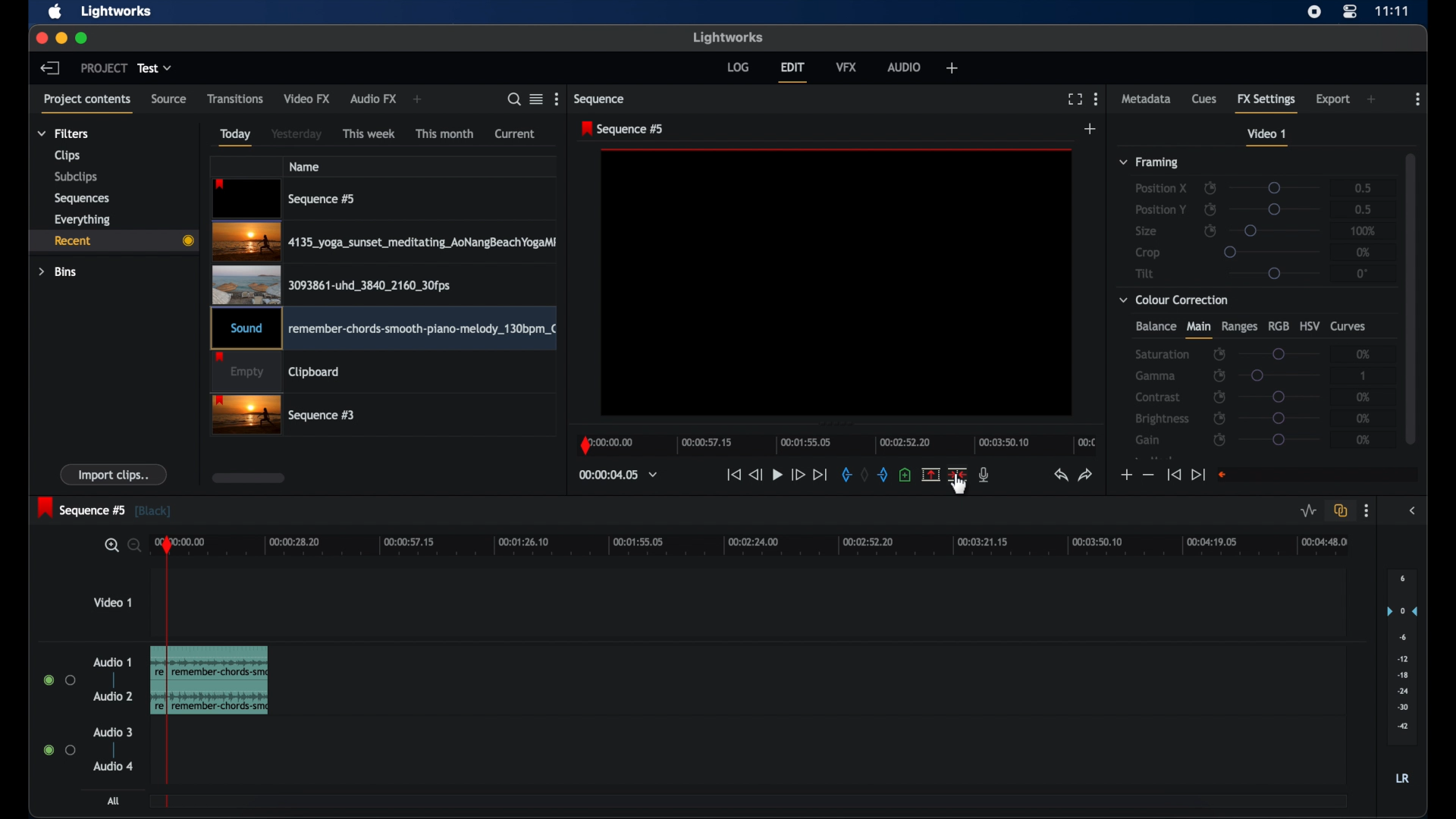  What do you see at coordinates (1367, 511) in the screenshot?
I see `more options` at bounding box center [1367, 511].